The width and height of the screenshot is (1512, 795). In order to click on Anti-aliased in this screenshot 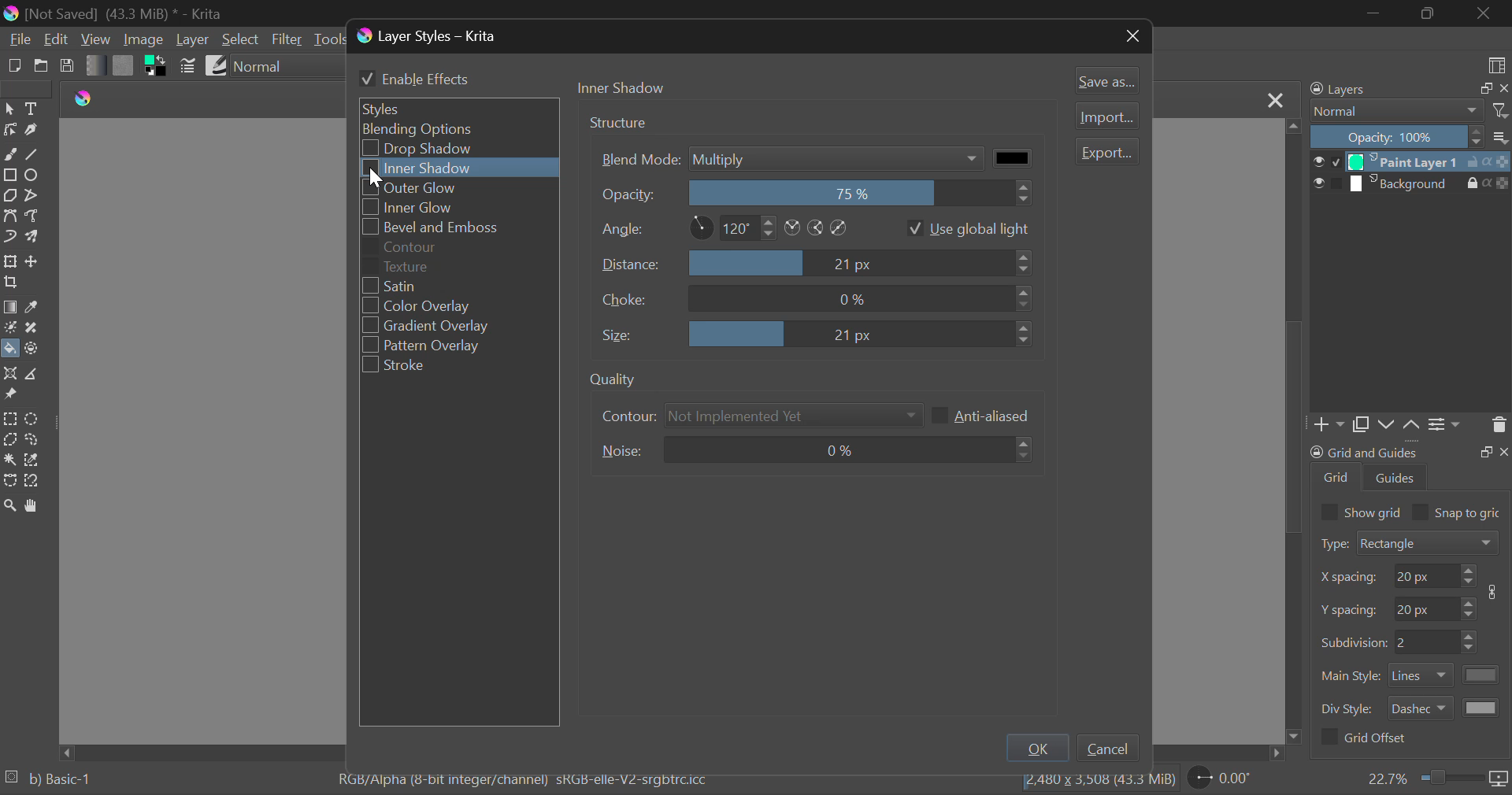, I will do `click(984, 411)`.